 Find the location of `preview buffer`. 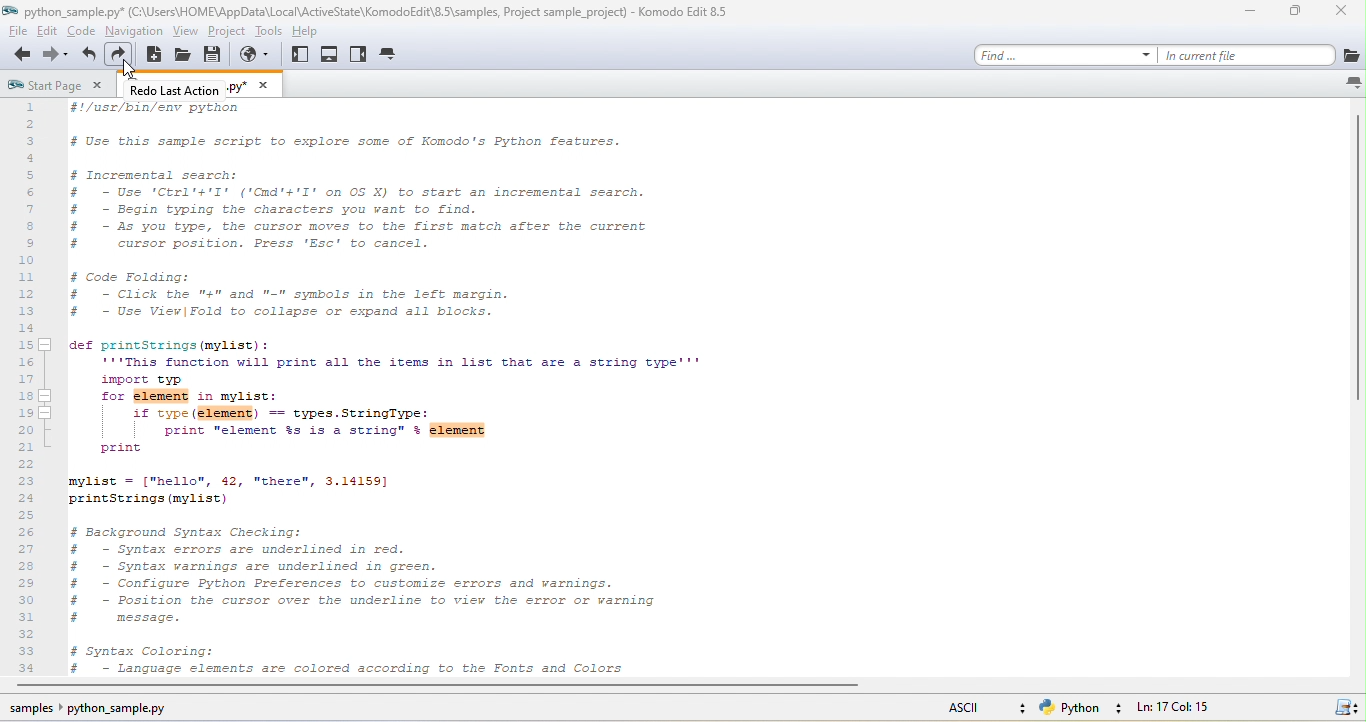

preview buffer is located at coordinates (255, 55).